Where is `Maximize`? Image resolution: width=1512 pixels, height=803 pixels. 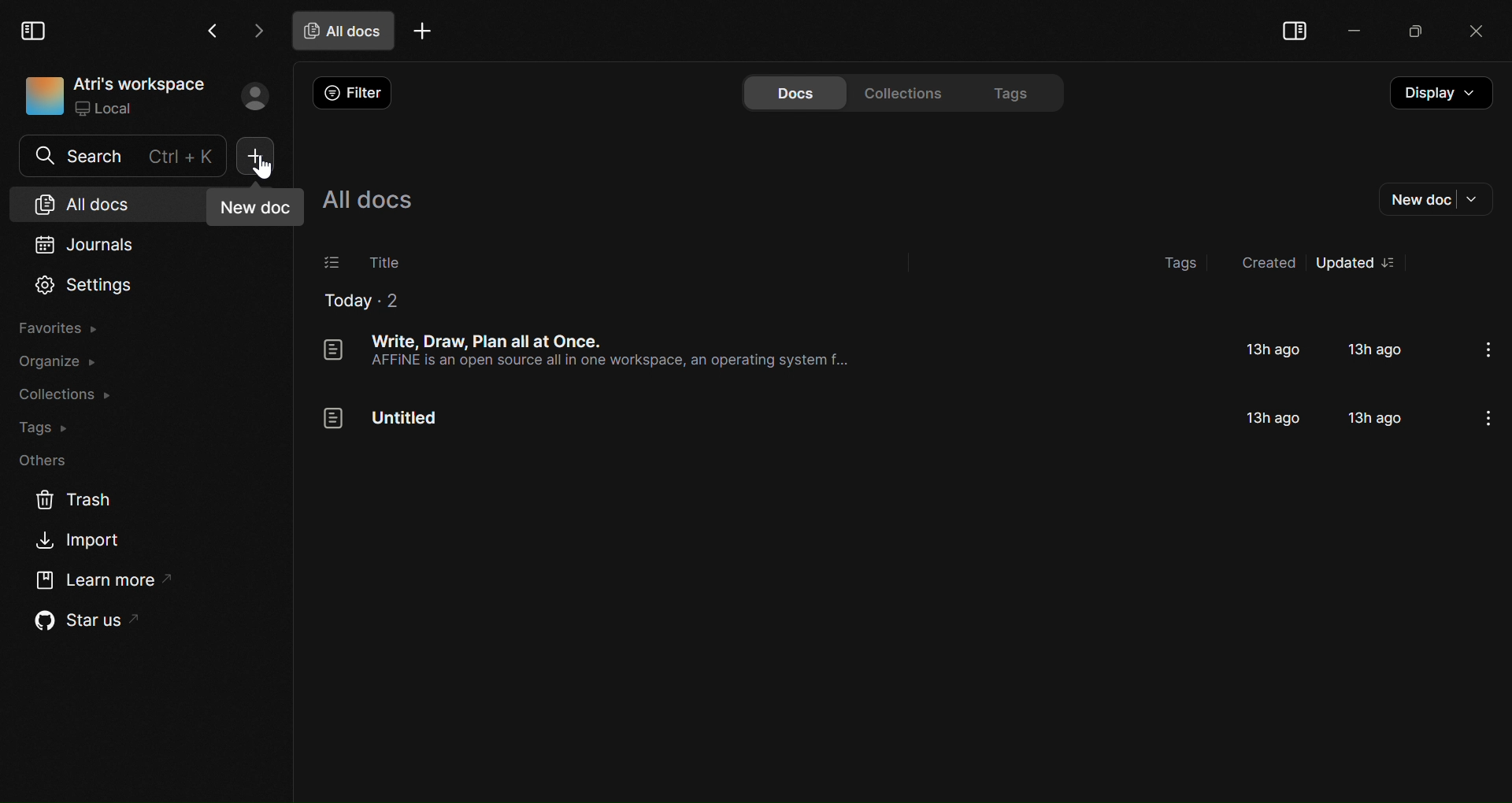 Maximize is located at coordinates (1410, 33).